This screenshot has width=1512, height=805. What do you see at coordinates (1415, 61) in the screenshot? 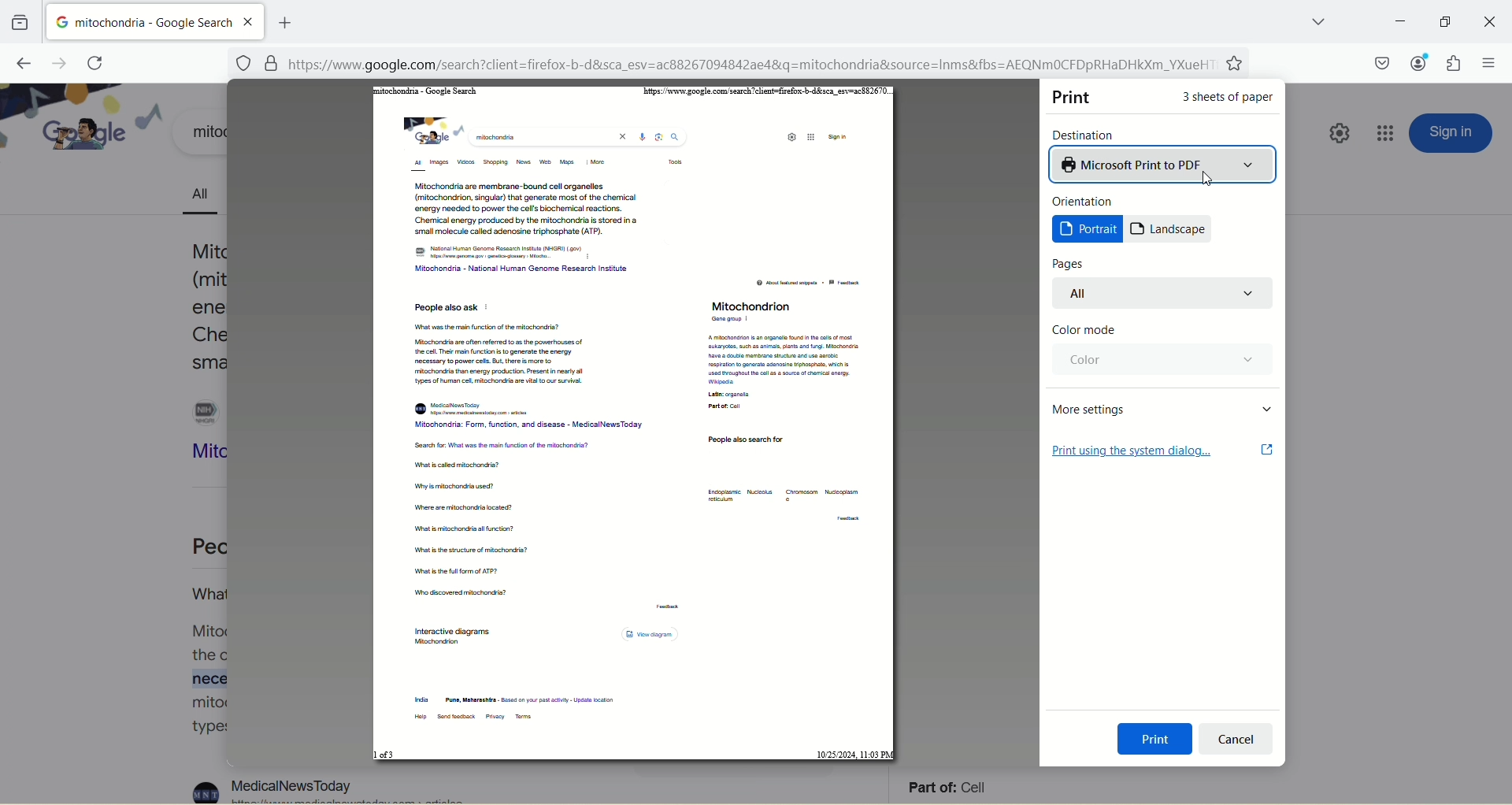
I see `account` at bounding box center [1415, 61].